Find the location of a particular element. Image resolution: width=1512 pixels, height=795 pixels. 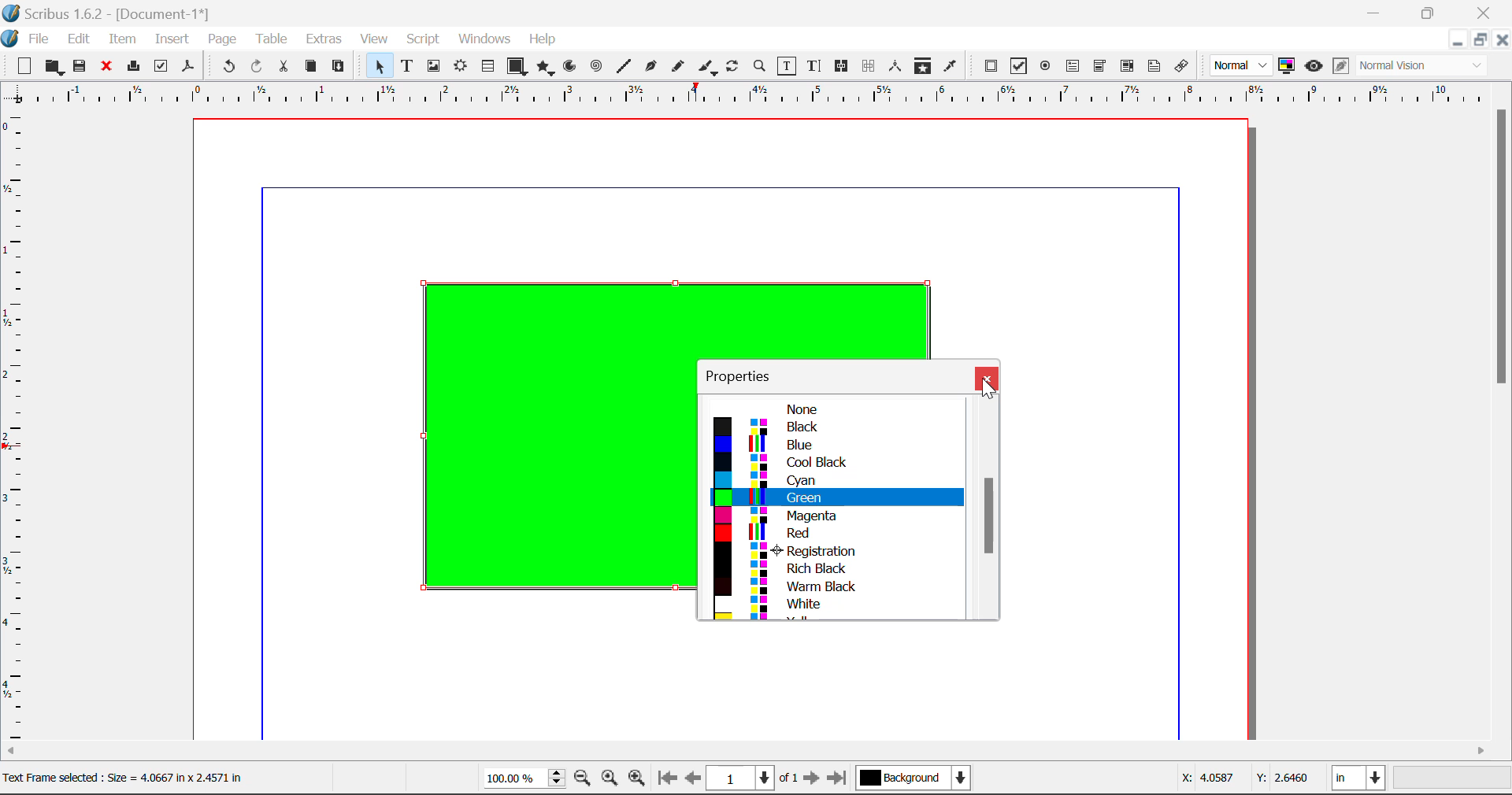

Delink Frames is located at coordinates (870, 66).